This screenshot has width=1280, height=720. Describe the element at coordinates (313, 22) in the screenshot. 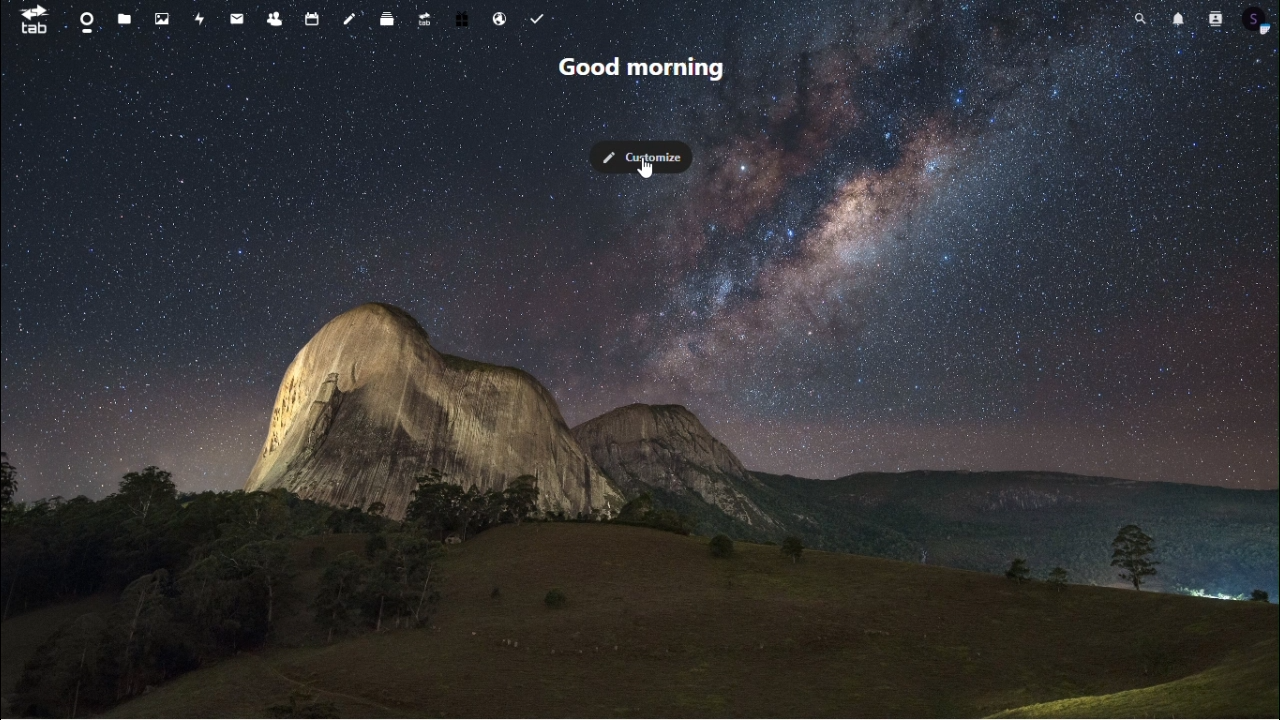

I see `calendar` at that location.